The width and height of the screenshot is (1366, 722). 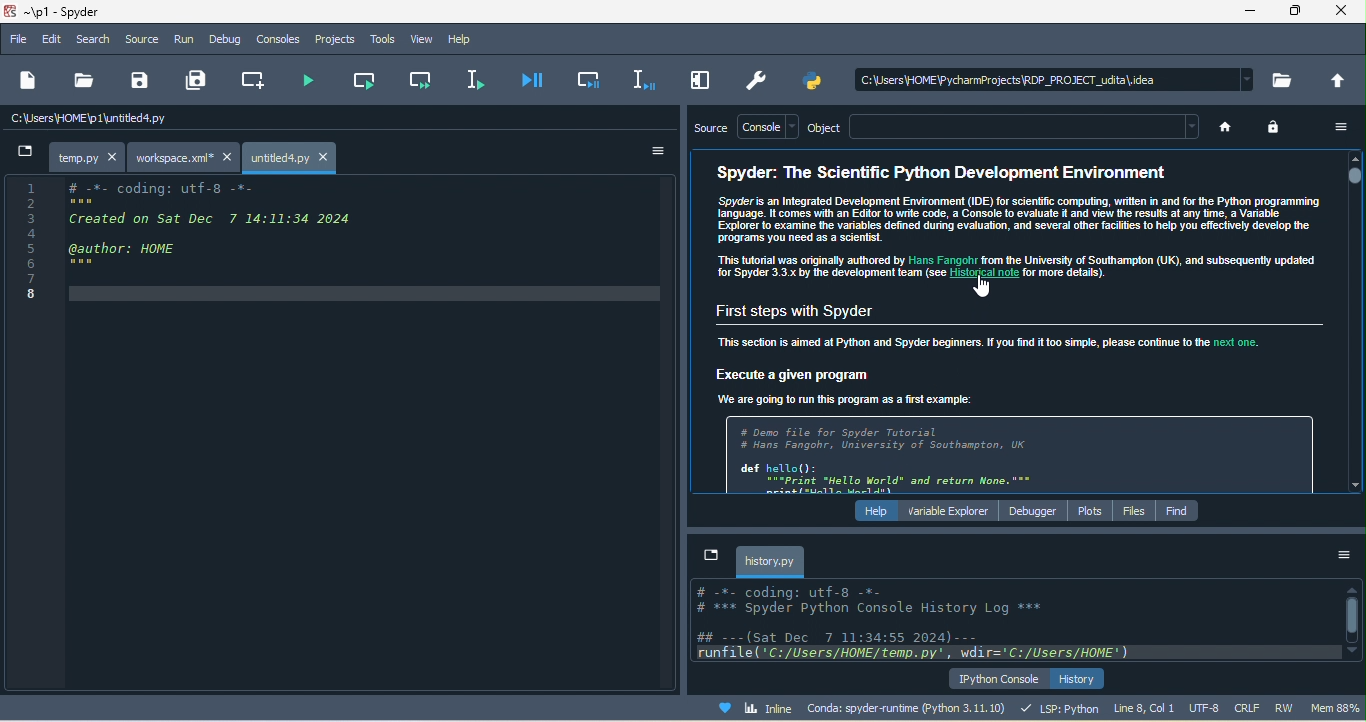 What do you see at coordinates (660, 152) in the screenshot?
I see `option` at bounding box center [660, 152].